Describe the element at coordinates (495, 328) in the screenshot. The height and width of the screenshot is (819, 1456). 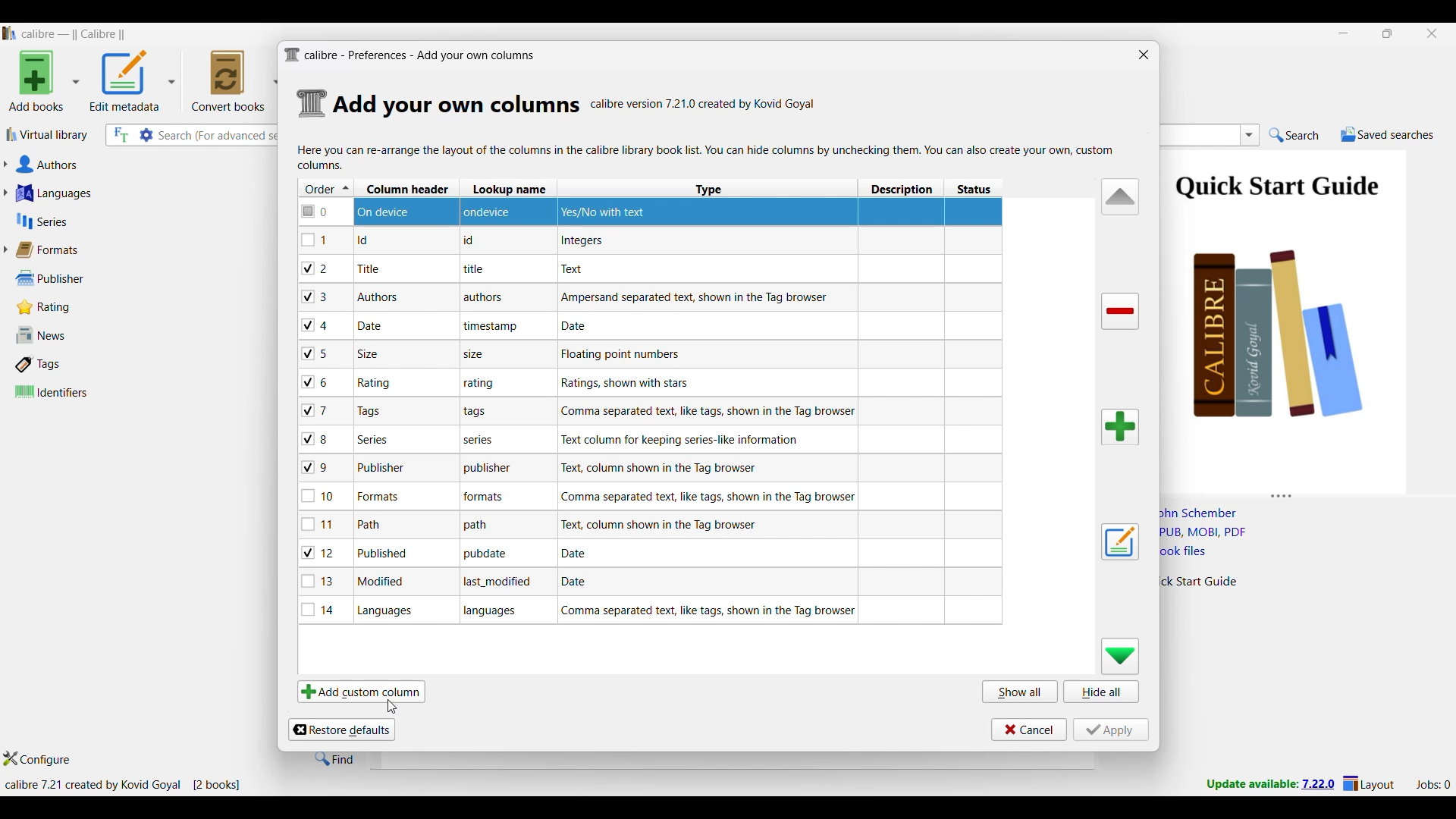
I see `note` at that location.